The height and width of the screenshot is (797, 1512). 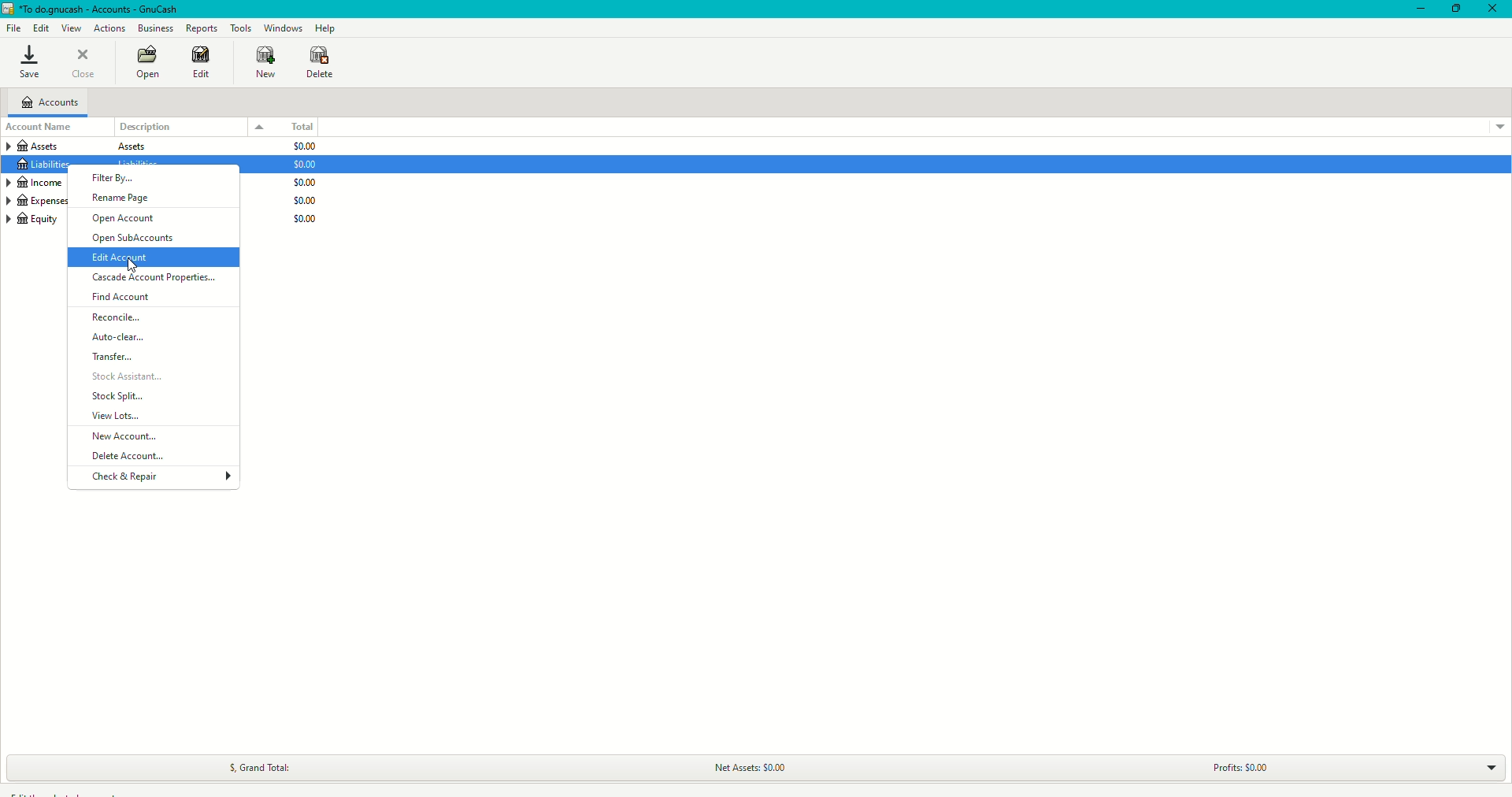 I want to click on Stock Assistant, so click(x=134, y=376).